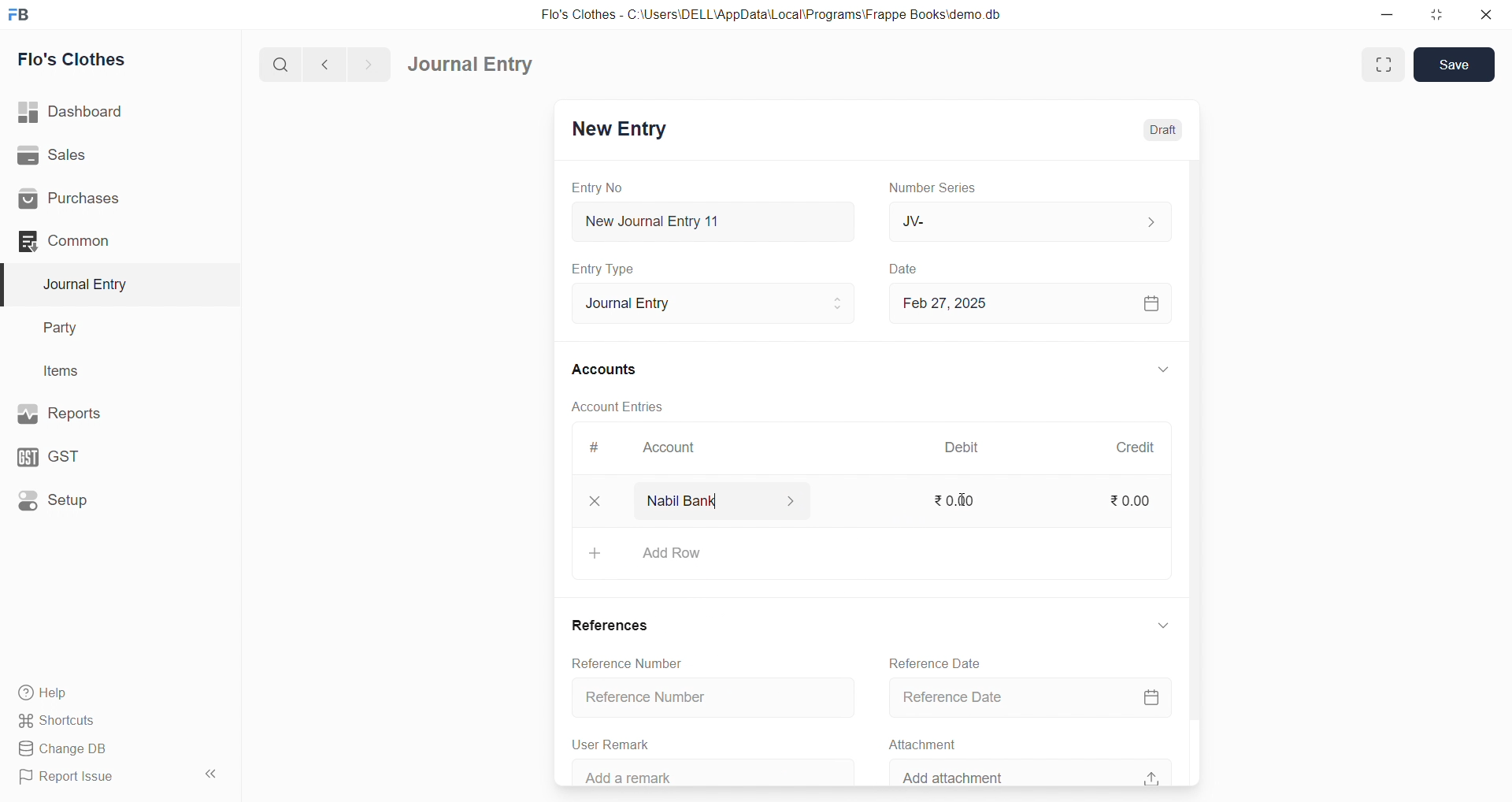 This screenshot has width=1512, height=802. What do you see at coordinates (1034, 771) in the screenshot?
I see `Add attachment` at bounding box center [1034, 771].